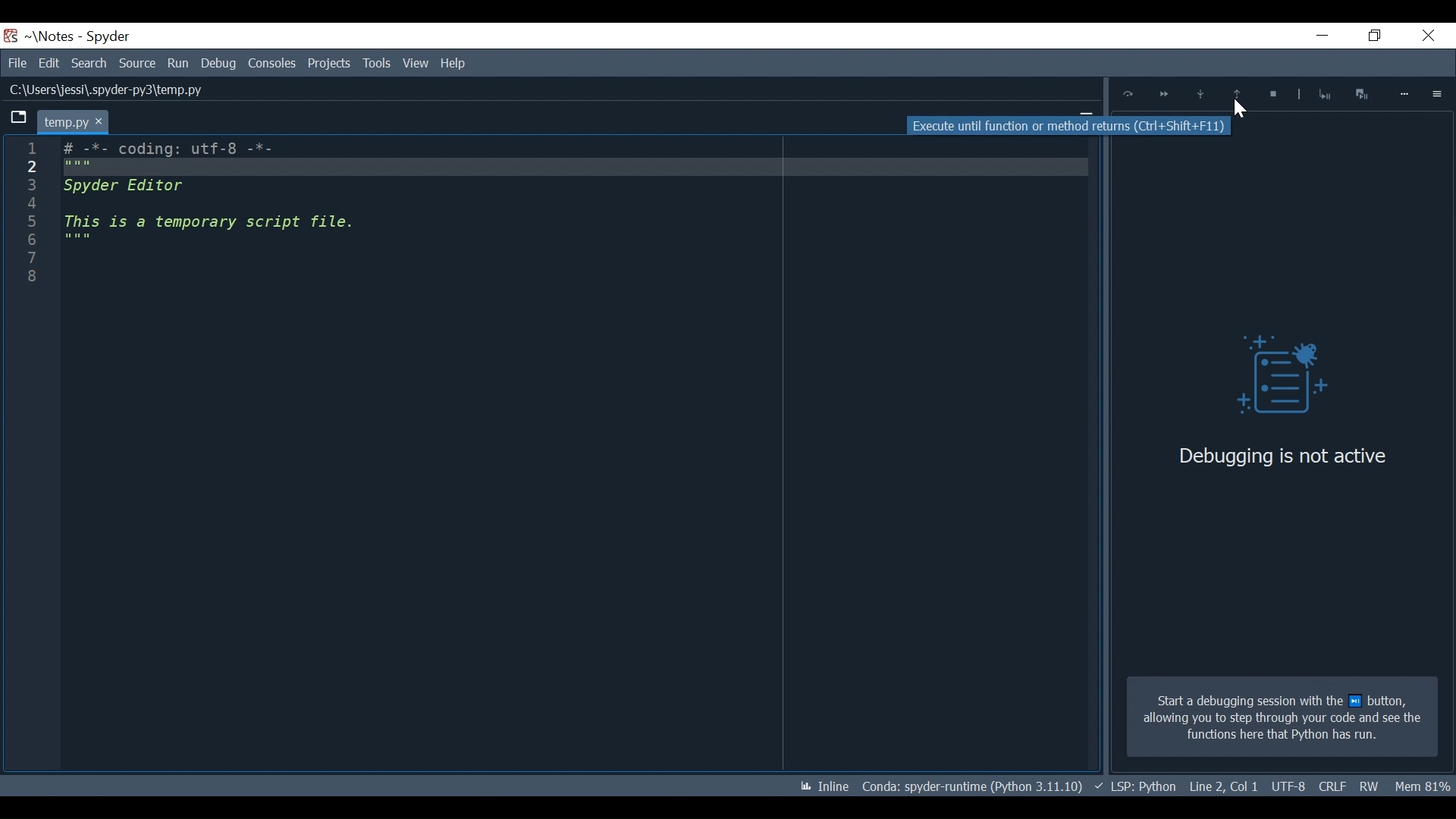 Image resolution: width=1456 pixels, height=819 pixels. I want to click on File, so click(17, 63).